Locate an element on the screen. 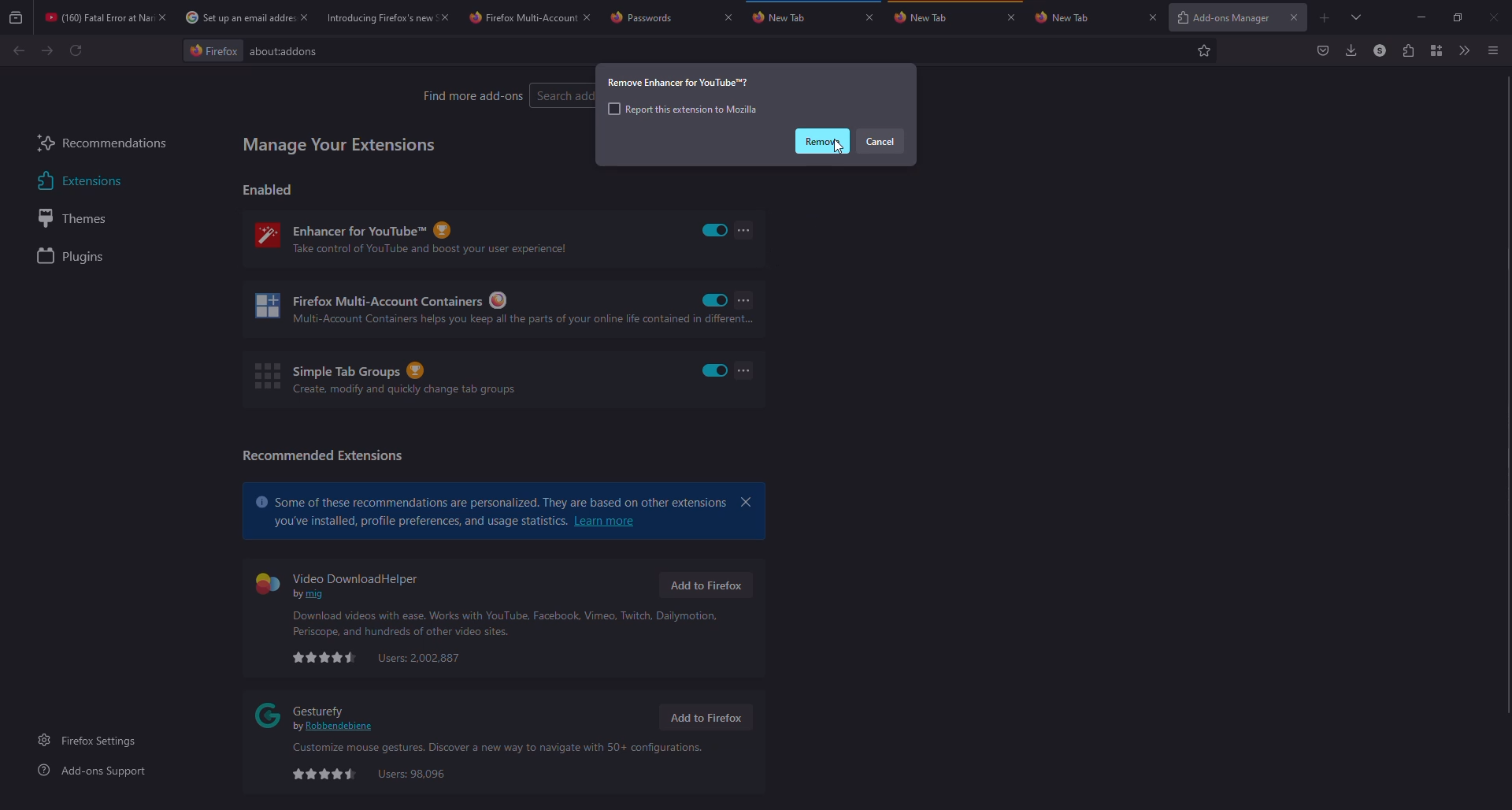 The height and width of the screenshot is (810, 1512). Cursor is located at coordinates (839, 147).